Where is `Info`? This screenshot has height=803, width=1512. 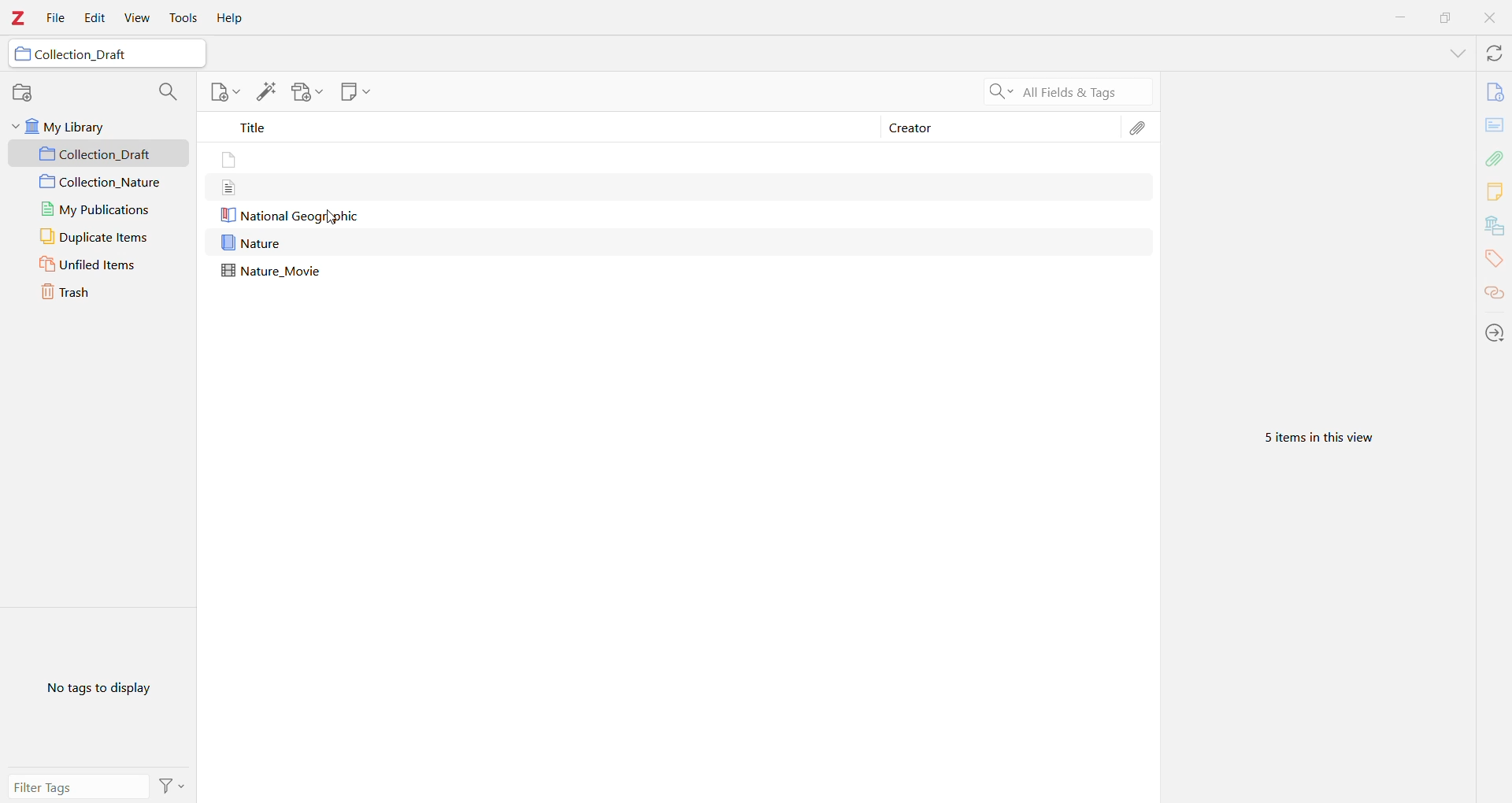
Info is located at coordinates (1495, 91).